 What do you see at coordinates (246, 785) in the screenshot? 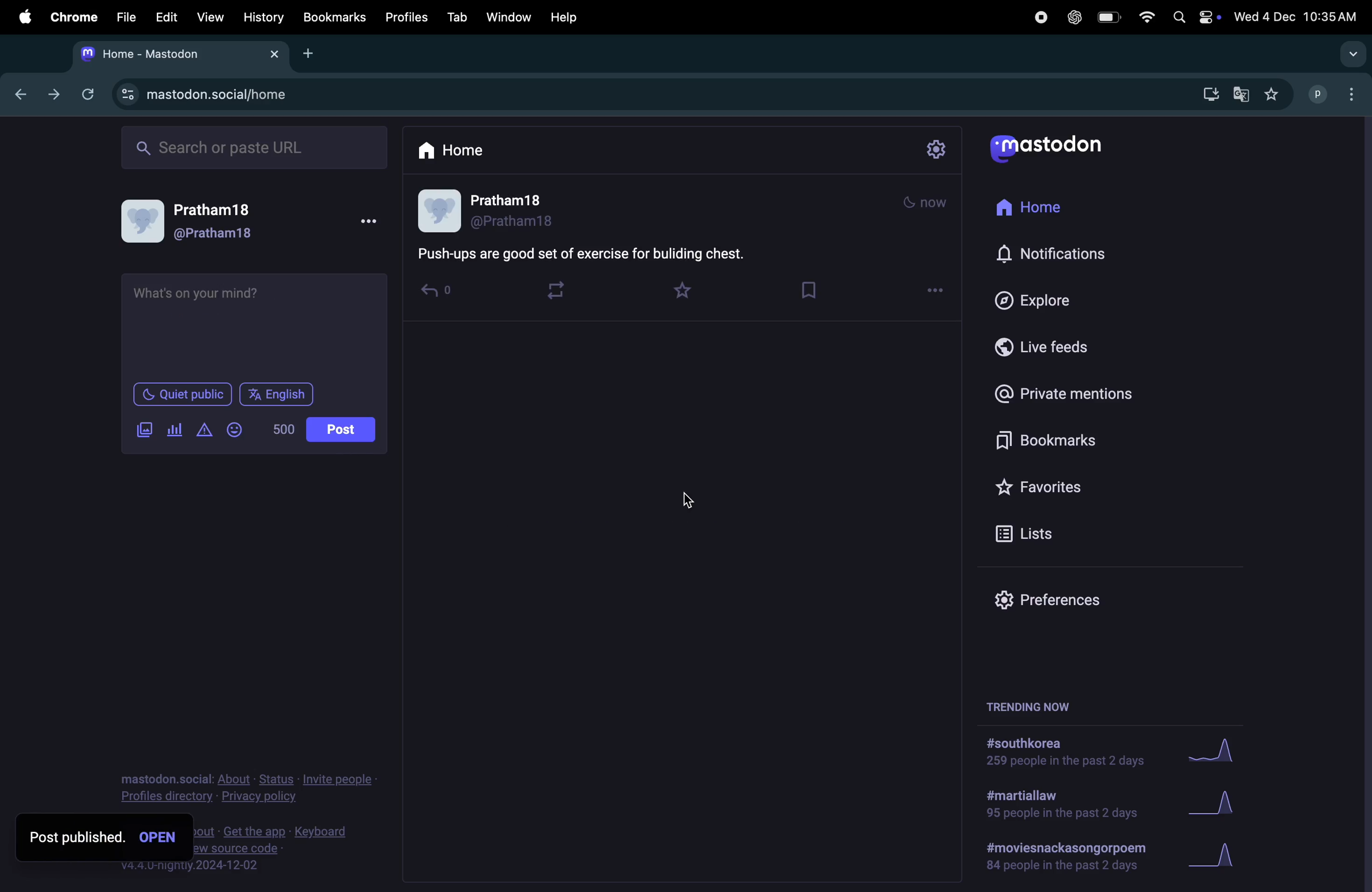
I see `privacy and policy` at bounding box center [246, 785].